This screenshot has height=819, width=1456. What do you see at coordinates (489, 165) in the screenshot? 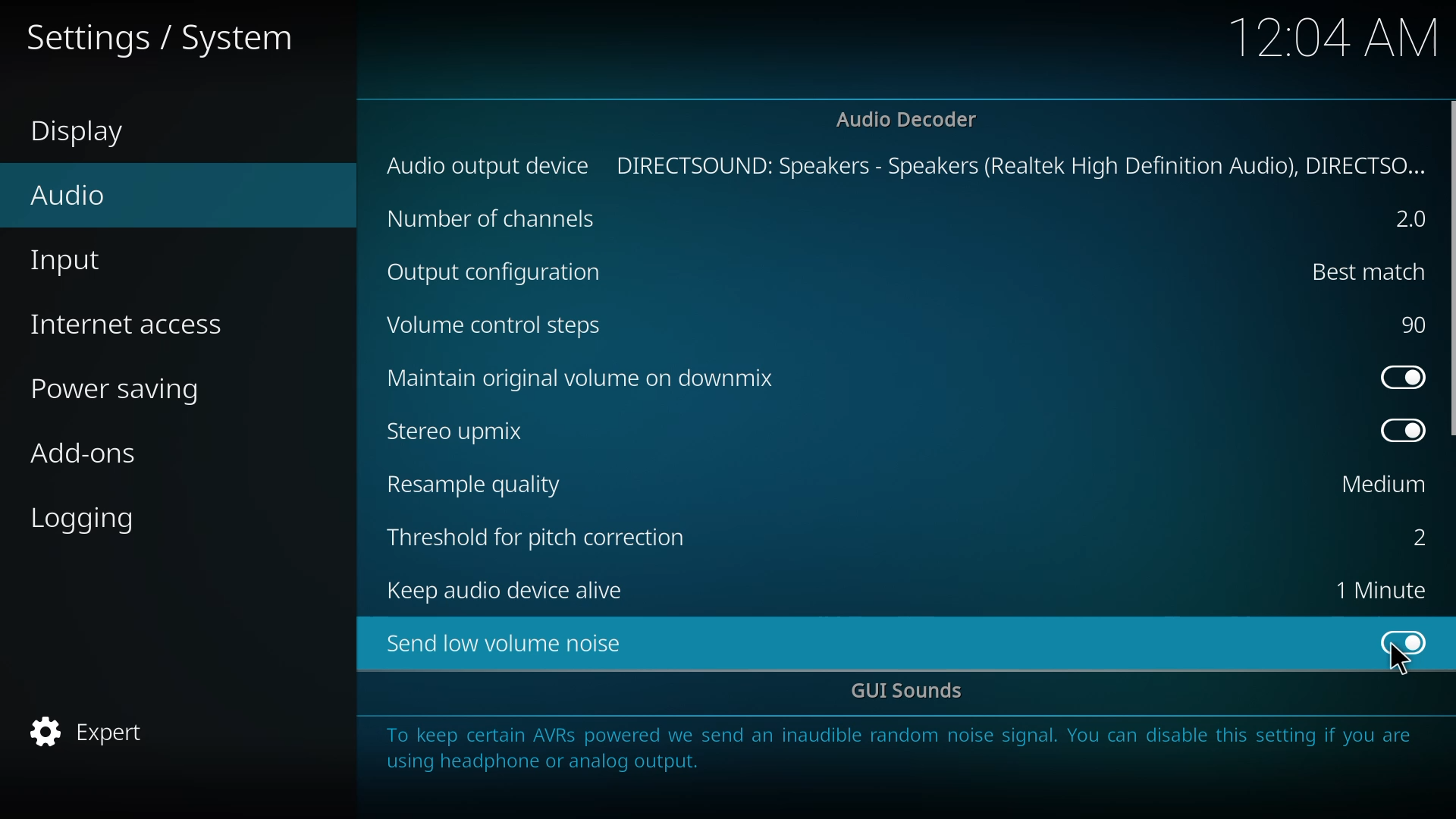
I see `audio output device` at bounding box center [489, 165].